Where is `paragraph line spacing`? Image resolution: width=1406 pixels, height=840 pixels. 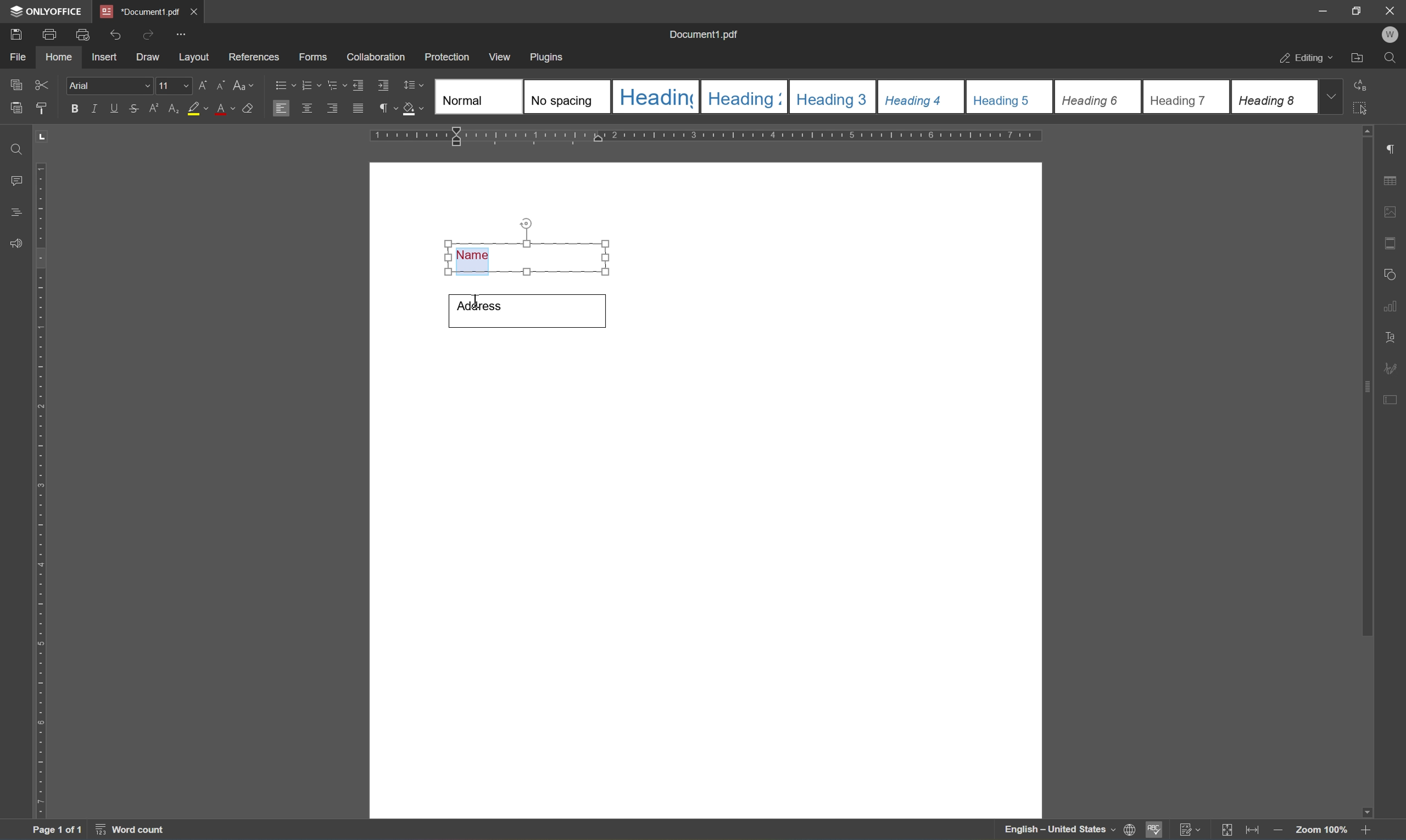
paragraph line spacing is located at coordinates (416, 85).